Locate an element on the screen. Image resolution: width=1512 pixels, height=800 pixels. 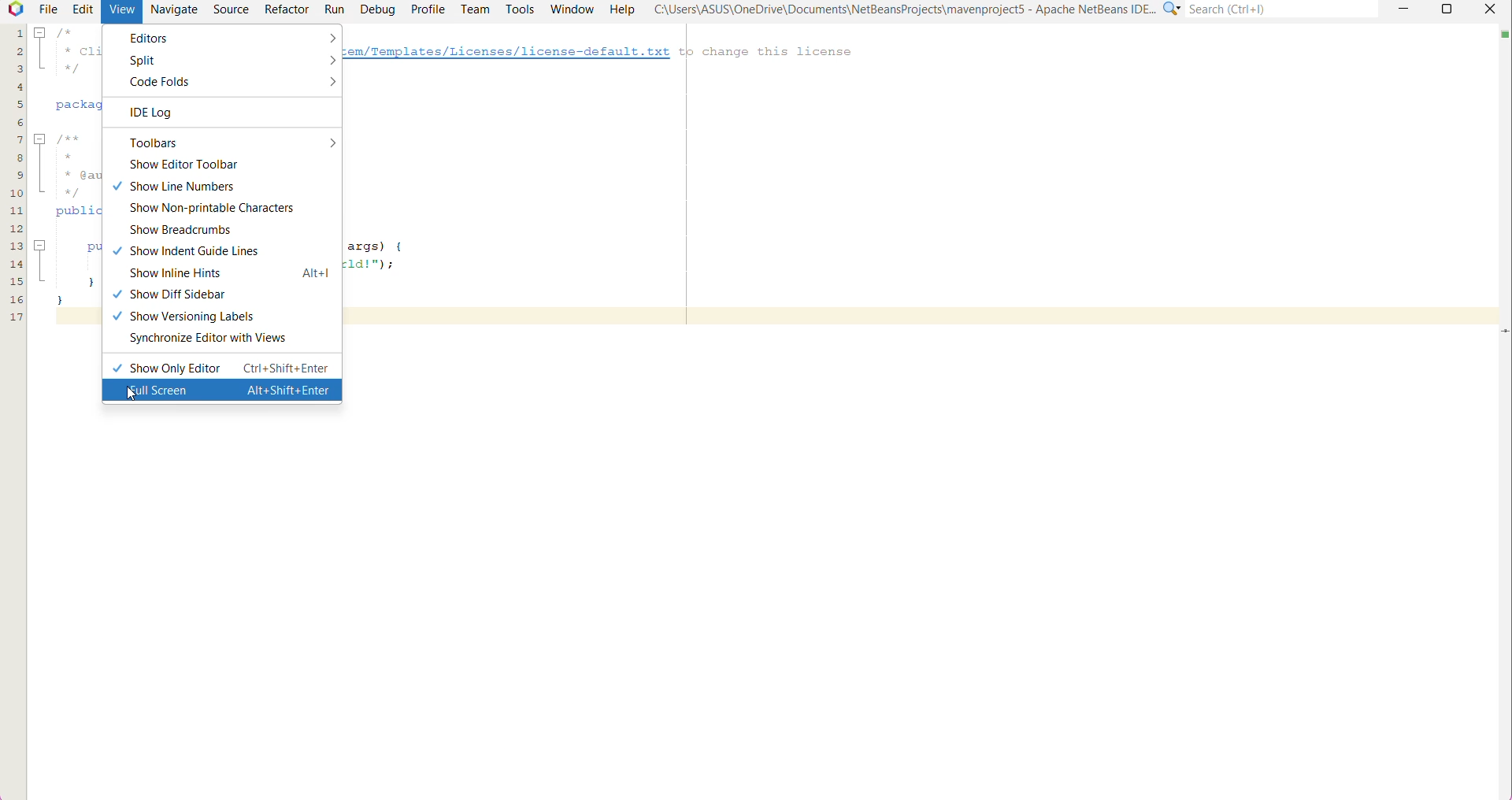
Show Line Numbers is located at coordinates (185, 187).